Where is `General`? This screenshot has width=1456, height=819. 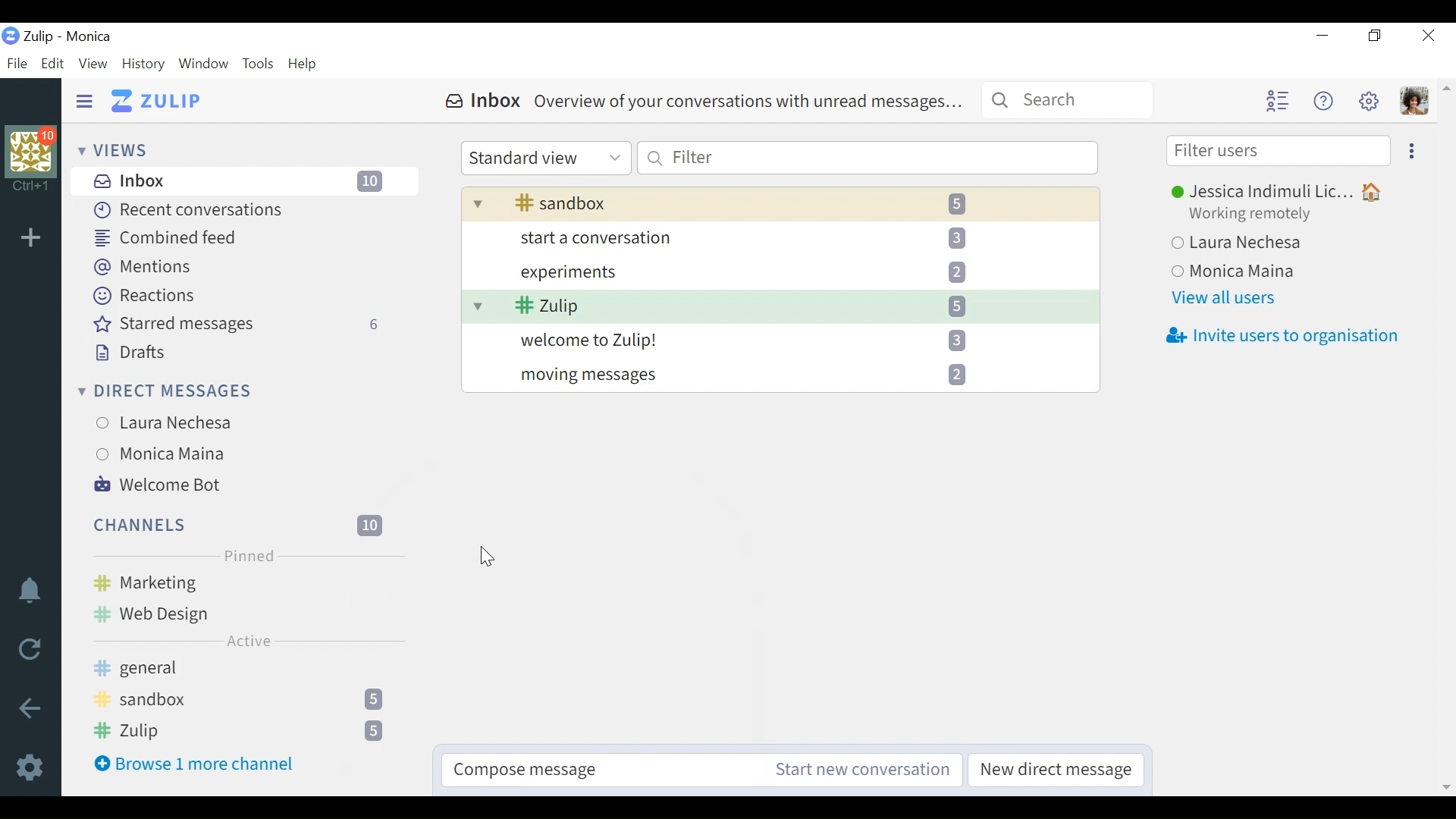
General is located at coordinates (202, 668).